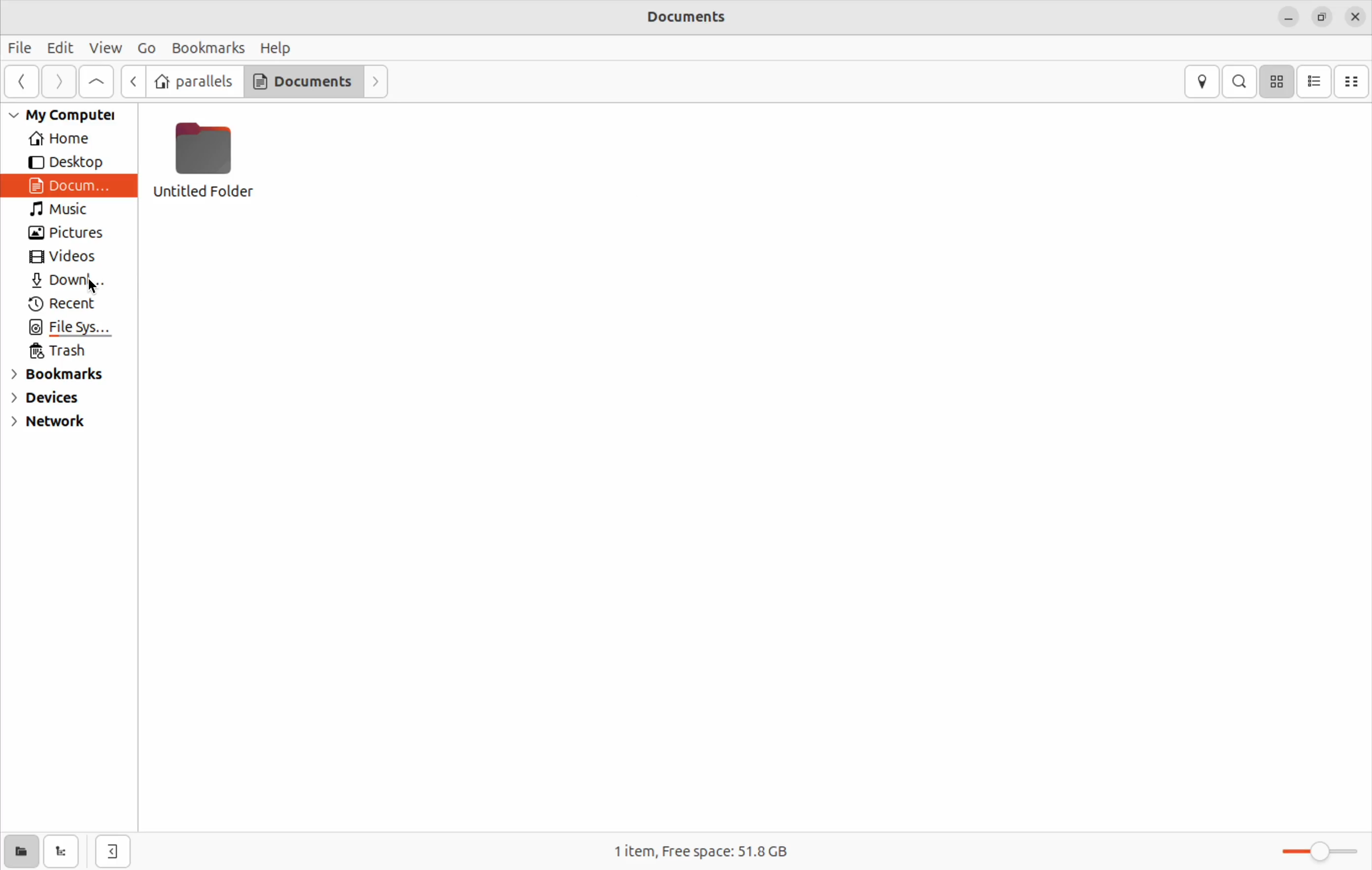  What do you see at coordinates (692, 19) in the screenshot?
I see `documents` at bounding box center [692, 19].